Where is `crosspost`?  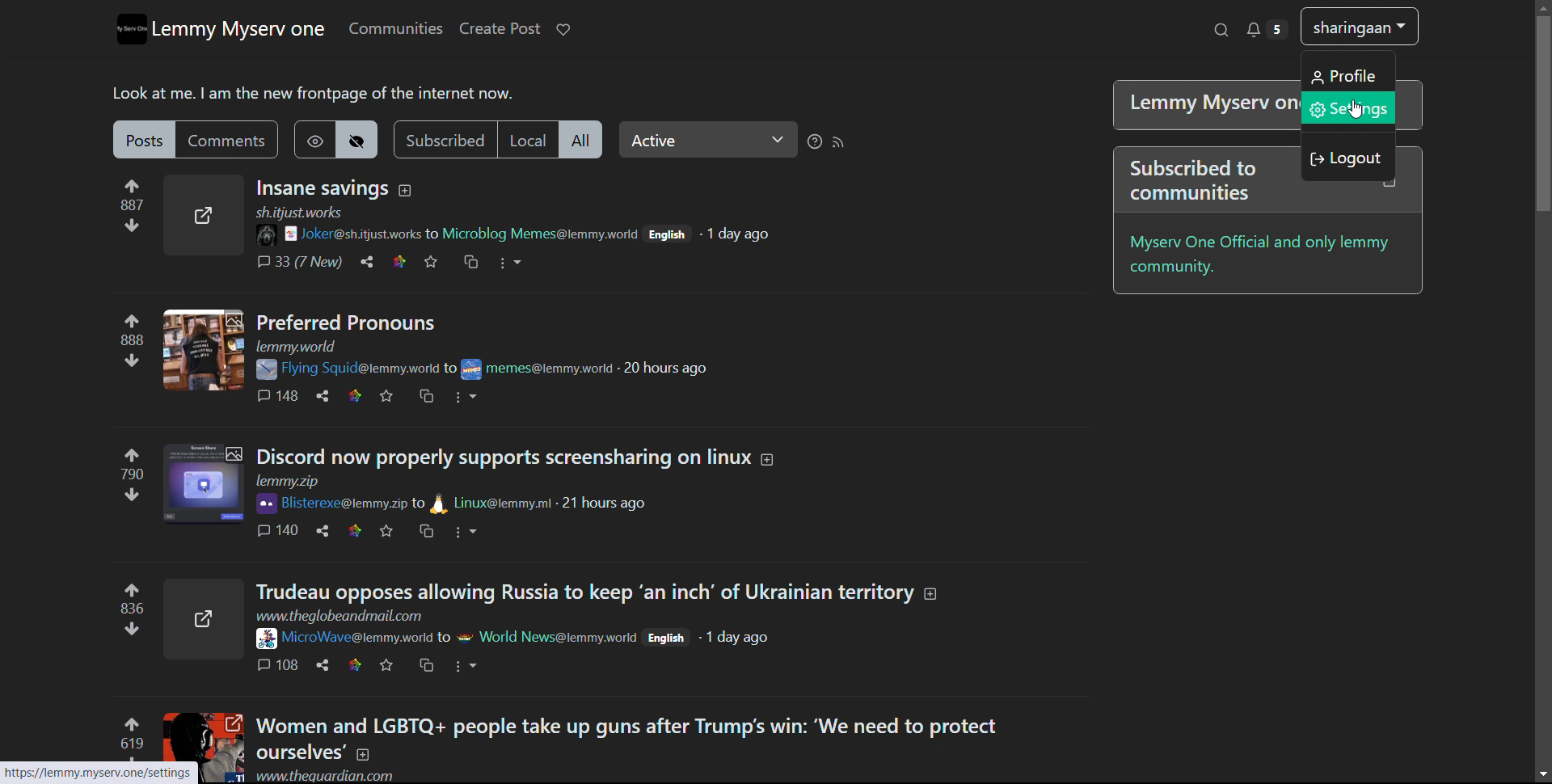
crosspost is located at coordinates (425, 665).